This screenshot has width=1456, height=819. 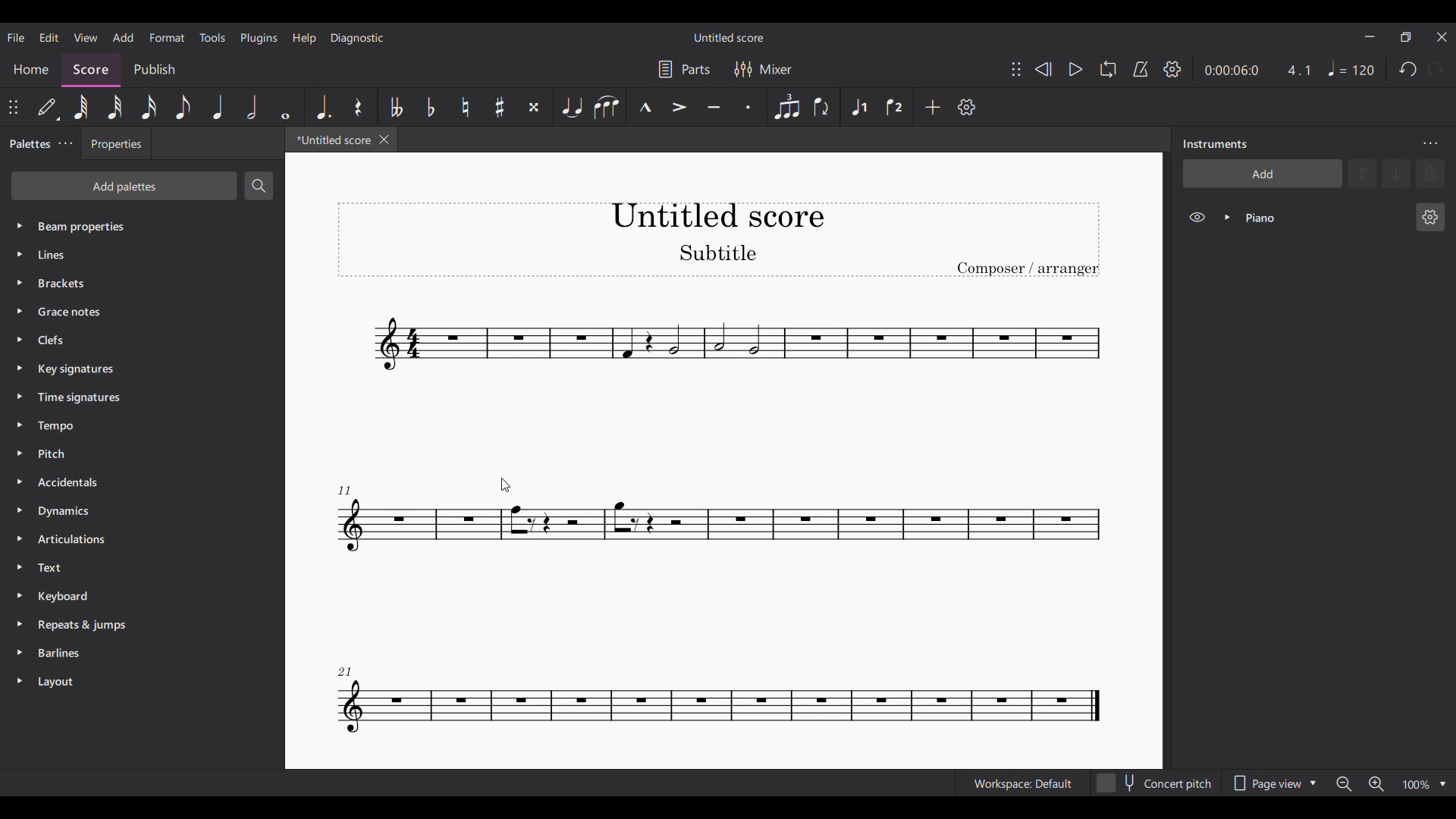 What do you see at coordinates (894, 107) in the screenshot?
I see `Voice 2` at bounding box center [894, 107].